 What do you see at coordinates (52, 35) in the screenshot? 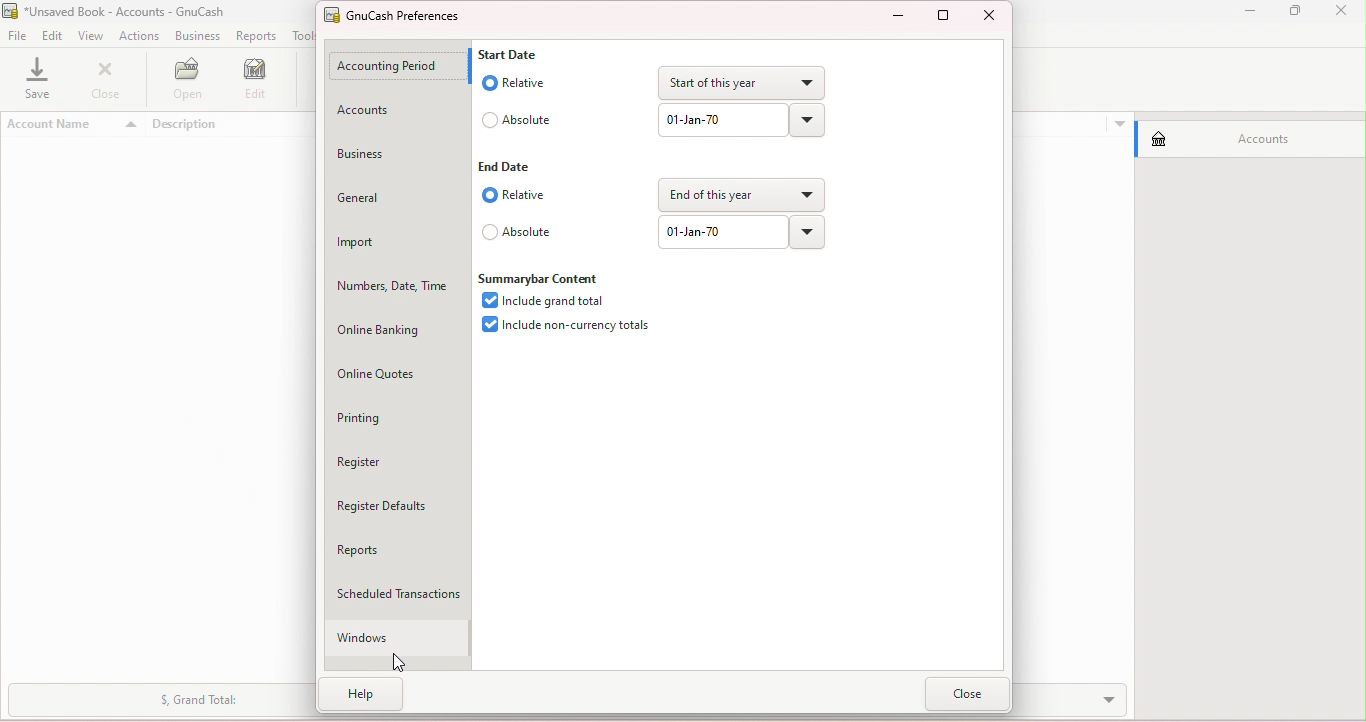
I see `Edit` at bounding box center [52, 35].